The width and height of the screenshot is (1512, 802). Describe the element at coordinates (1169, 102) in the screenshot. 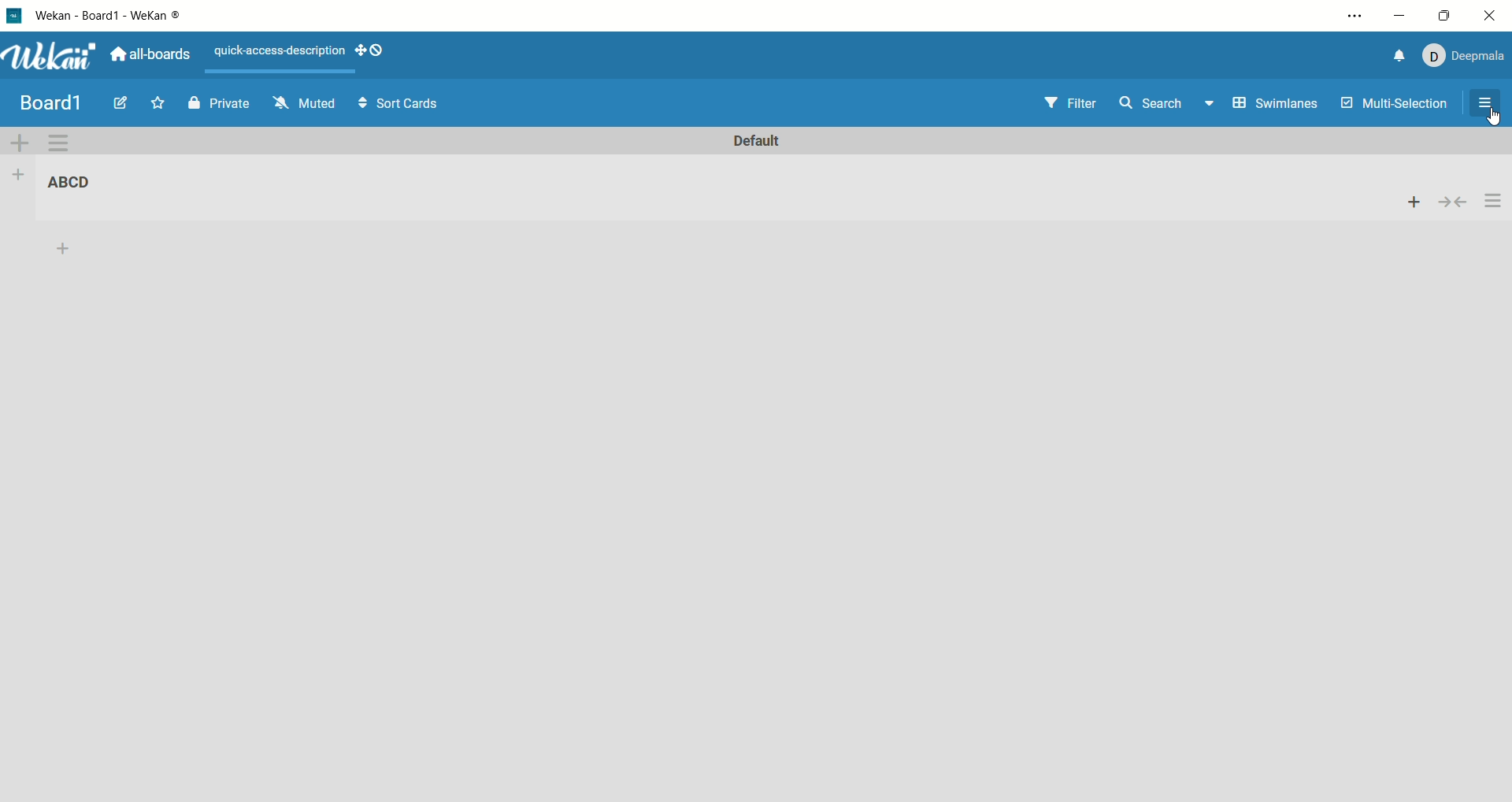

I see `search` at that location.